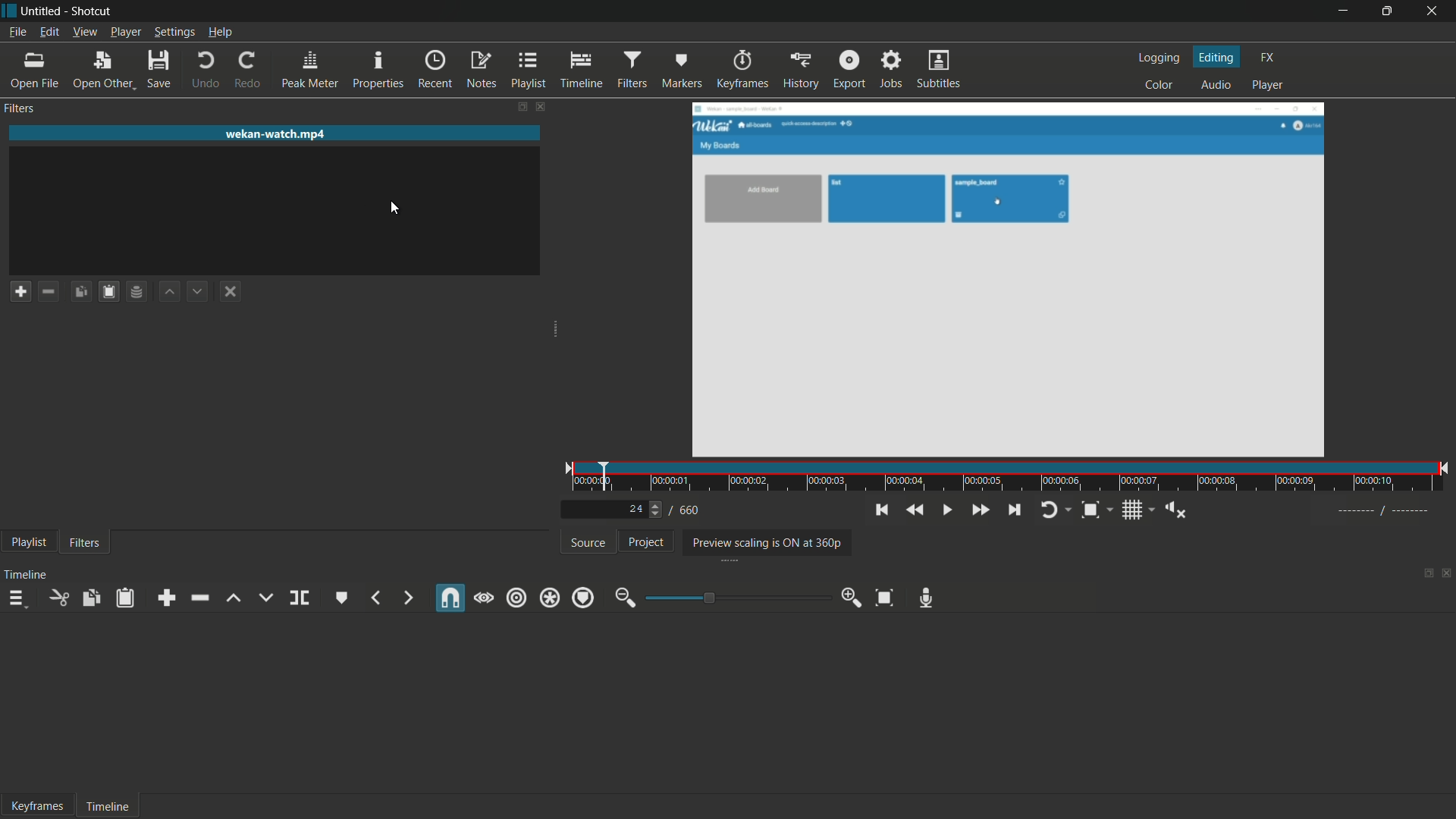 The height and width of the screenshot is (819, 1456). What do you see at coordinates (102, 69) in the screenshot?
I see `open other` at bounding box center [102, 69].